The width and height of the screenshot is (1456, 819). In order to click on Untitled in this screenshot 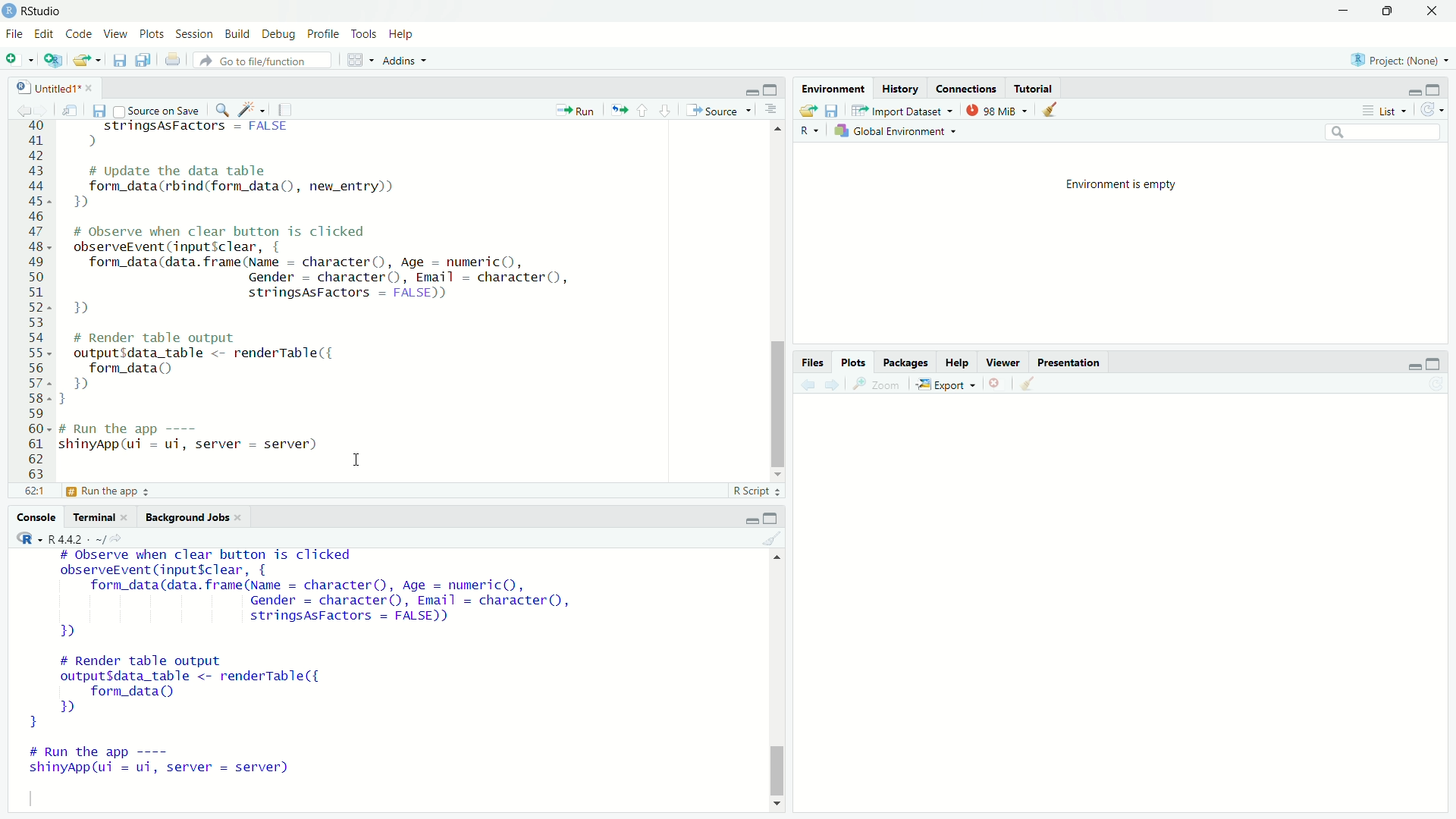, I will do `click(40, 85)`.